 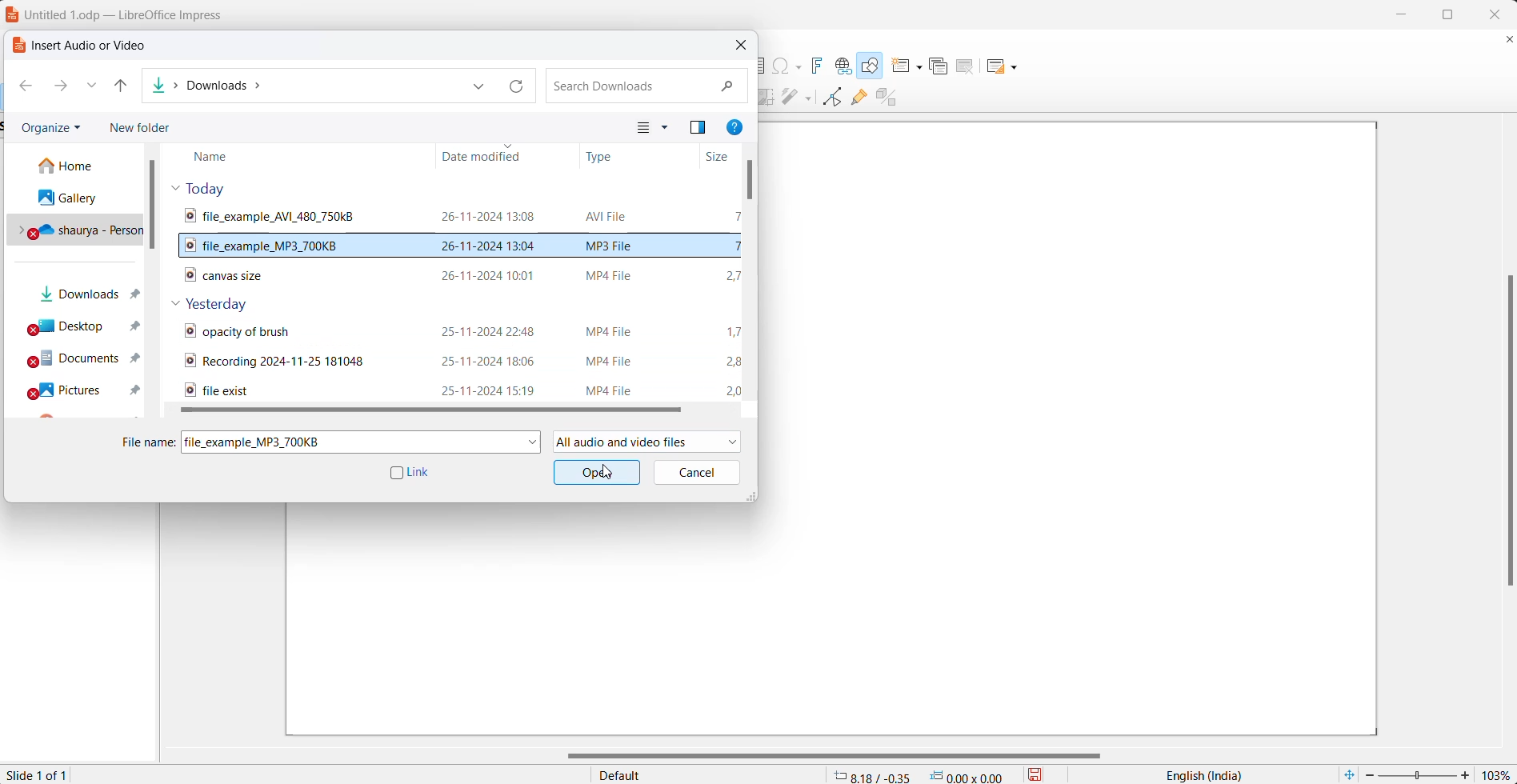 What do you see at coordinates (160, 203) in the screenshot?
I see `vertical scroll bar` at bounding box center [160, 203].